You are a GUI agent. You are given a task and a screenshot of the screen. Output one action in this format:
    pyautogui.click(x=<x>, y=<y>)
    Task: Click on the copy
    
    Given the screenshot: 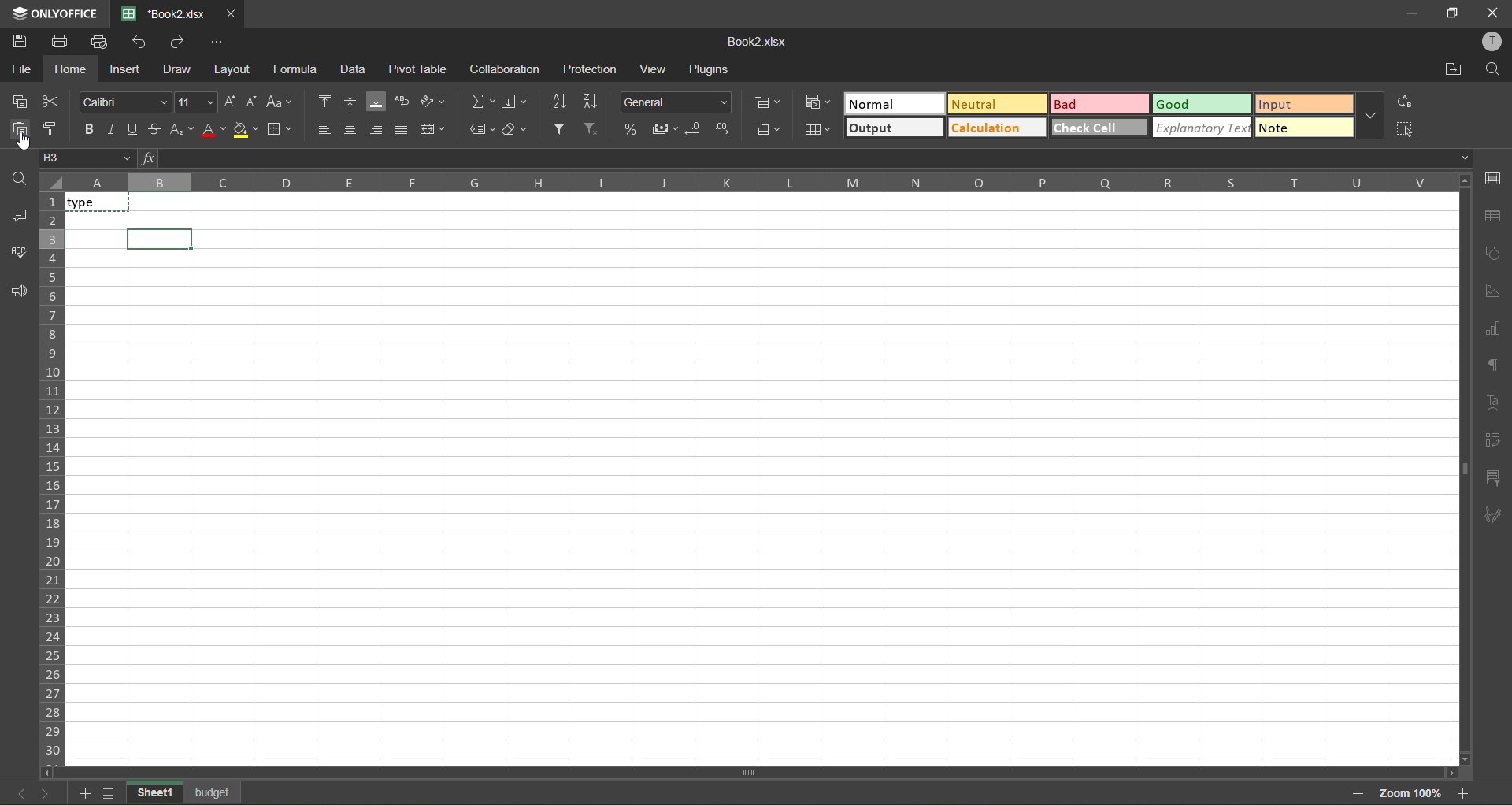 What is the action you would take?
    pyautogui.click(x=18, y=101)
    